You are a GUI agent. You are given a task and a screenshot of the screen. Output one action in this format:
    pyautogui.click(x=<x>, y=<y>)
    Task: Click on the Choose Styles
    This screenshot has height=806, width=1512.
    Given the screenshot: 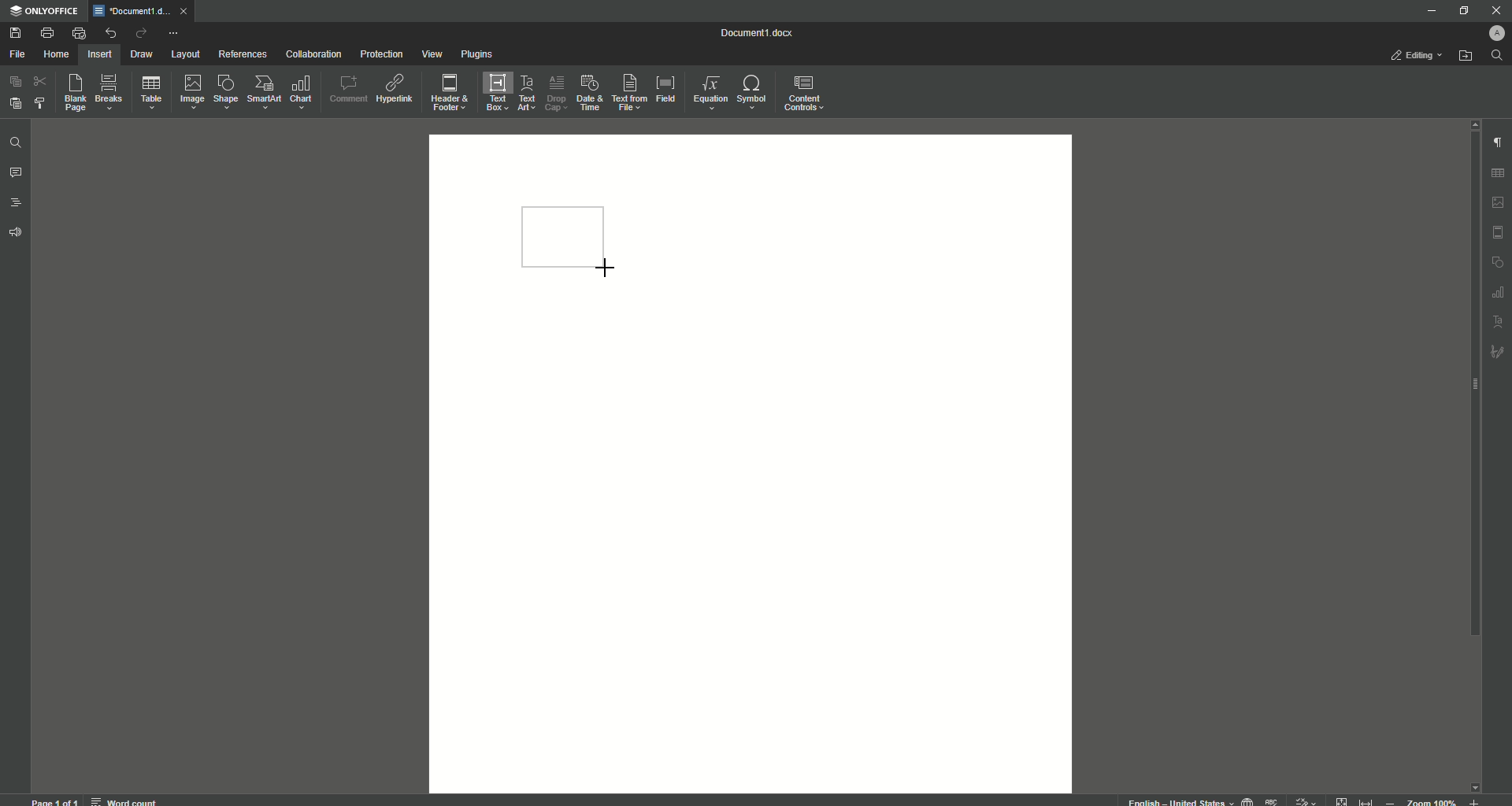 What is the action you would take?
    pyautogui.click(x=41, y=102)
    